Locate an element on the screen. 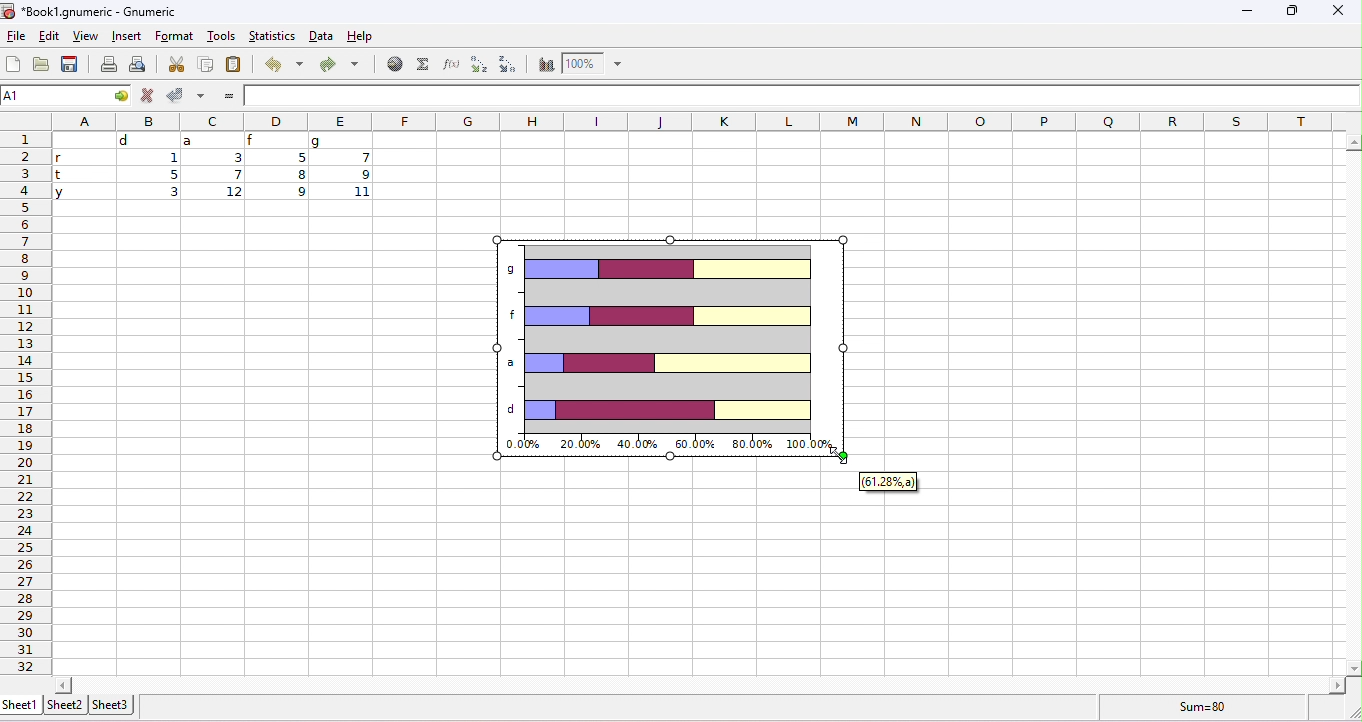  cut is located at coordinates (179, 64).